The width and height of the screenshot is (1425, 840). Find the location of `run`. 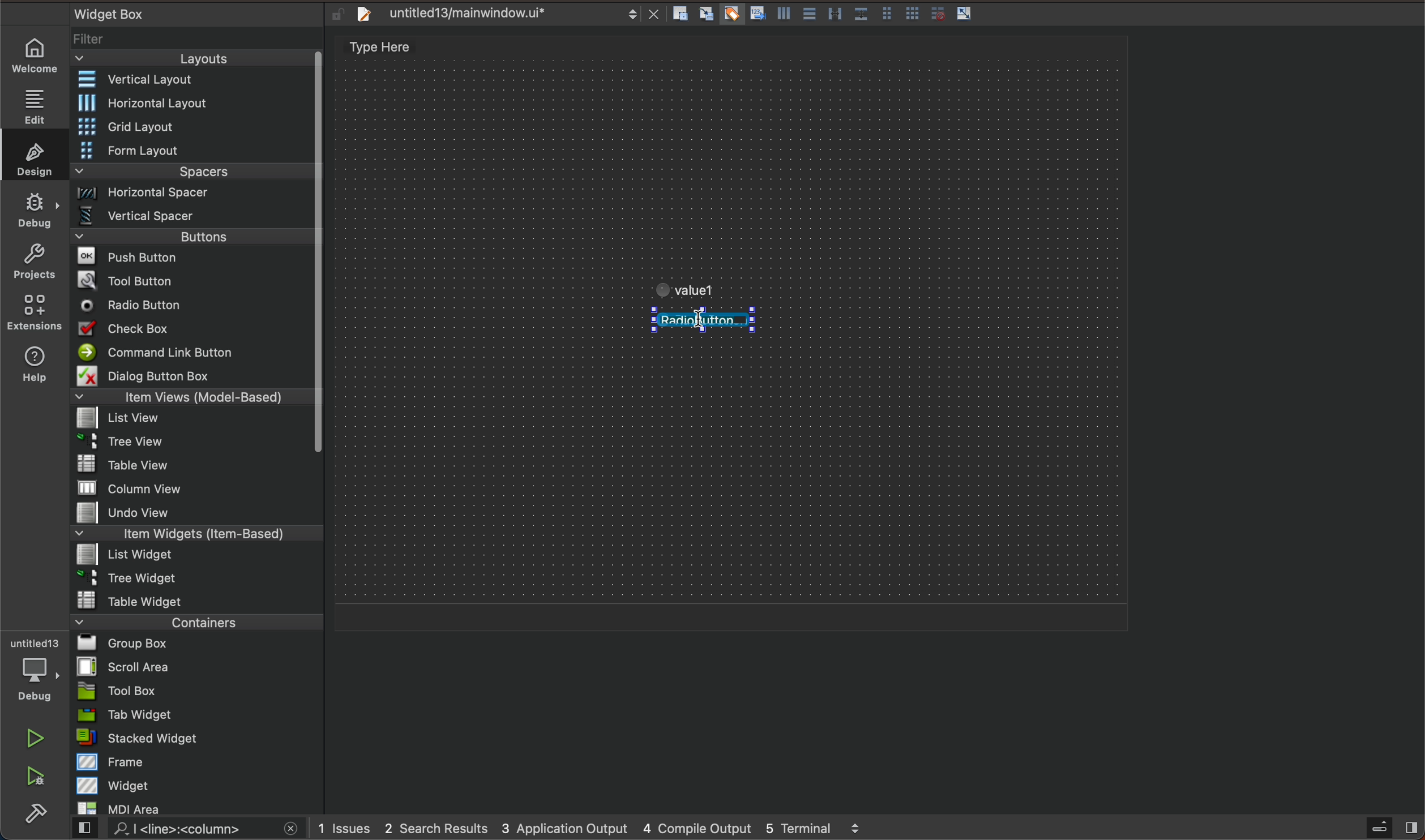

run is located at coordinates (37, 738).